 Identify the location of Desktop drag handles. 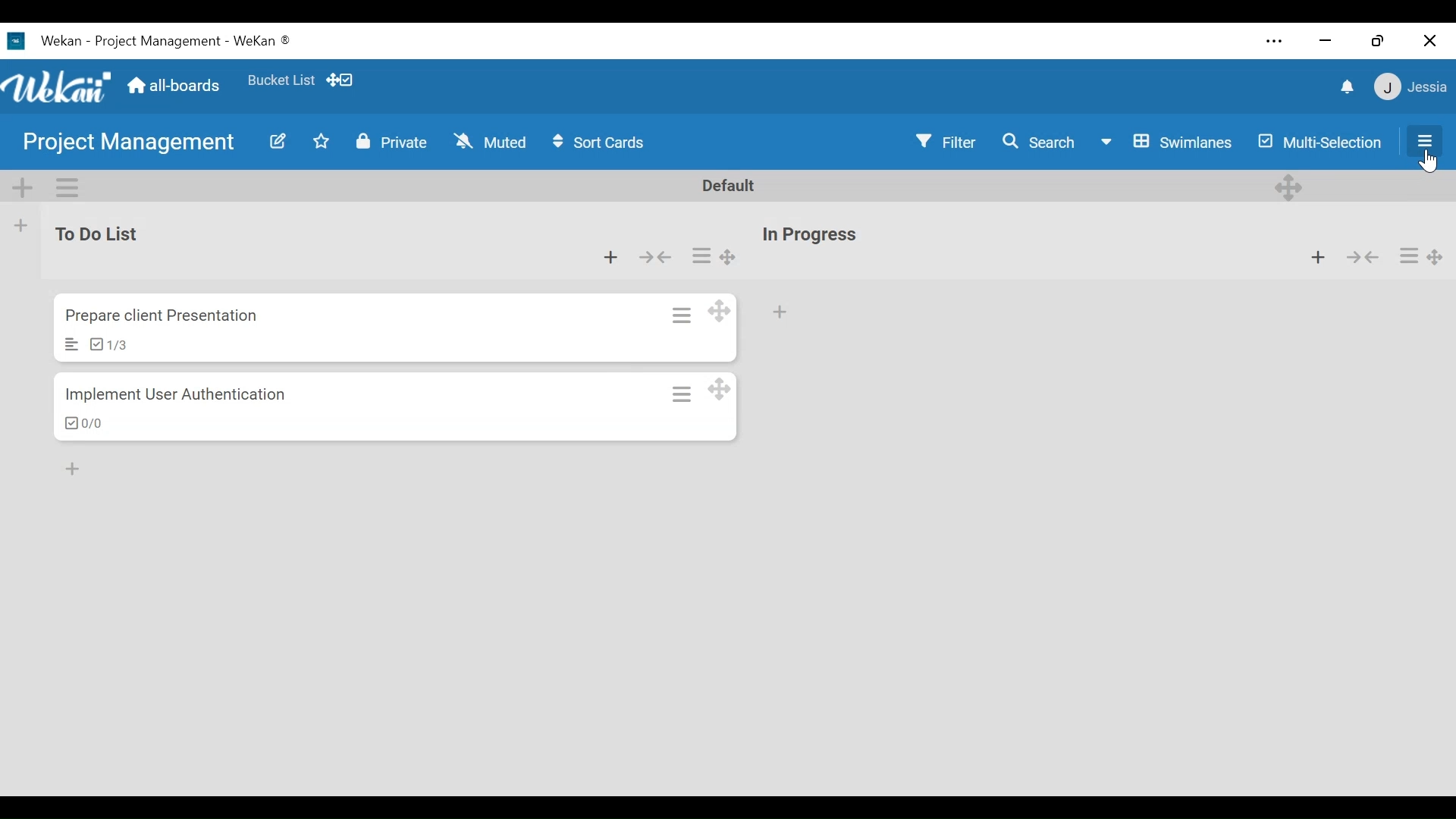
(718, 390).